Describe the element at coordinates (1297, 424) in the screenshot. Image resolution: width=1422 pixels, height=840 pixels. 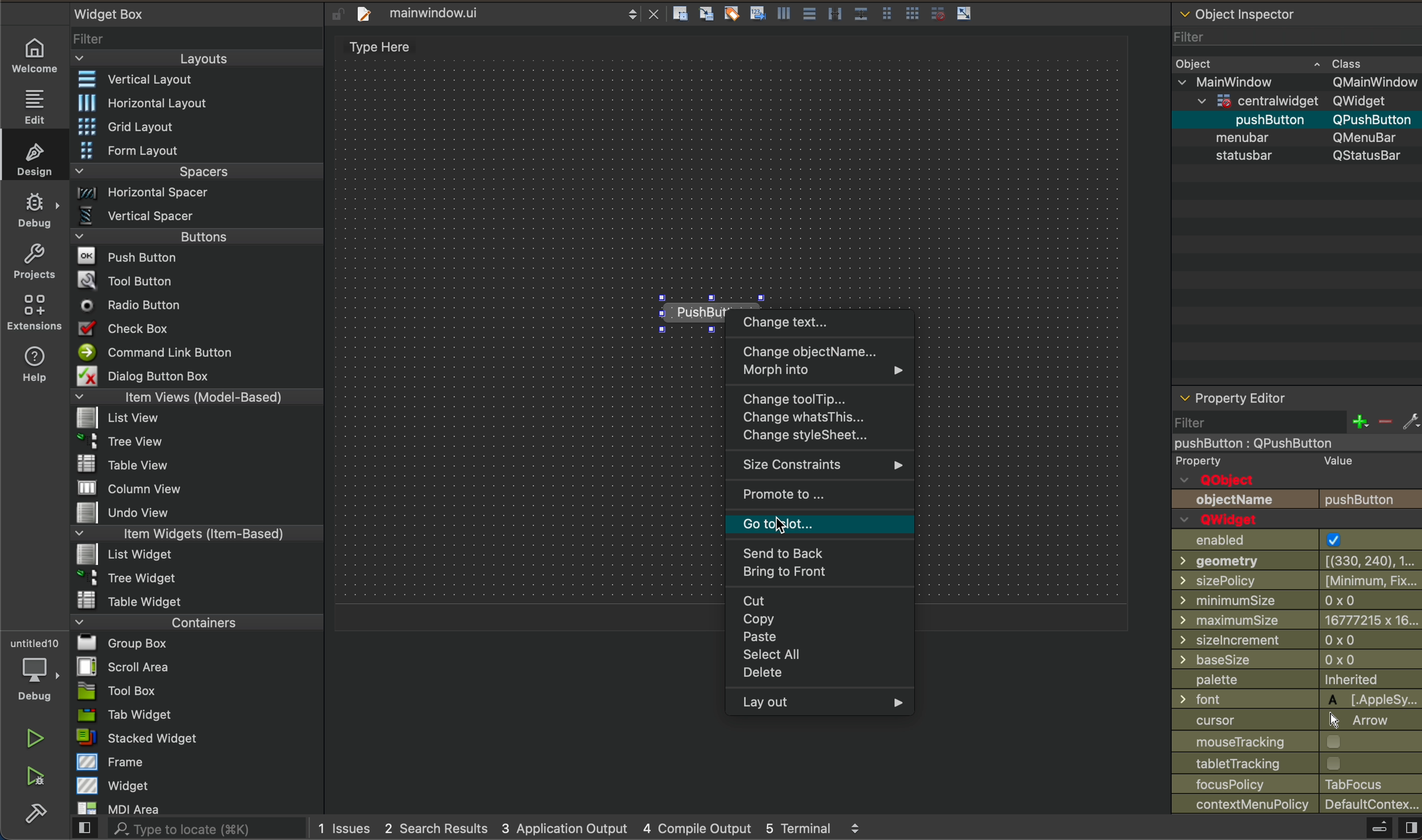
I see `filter section` at that location.